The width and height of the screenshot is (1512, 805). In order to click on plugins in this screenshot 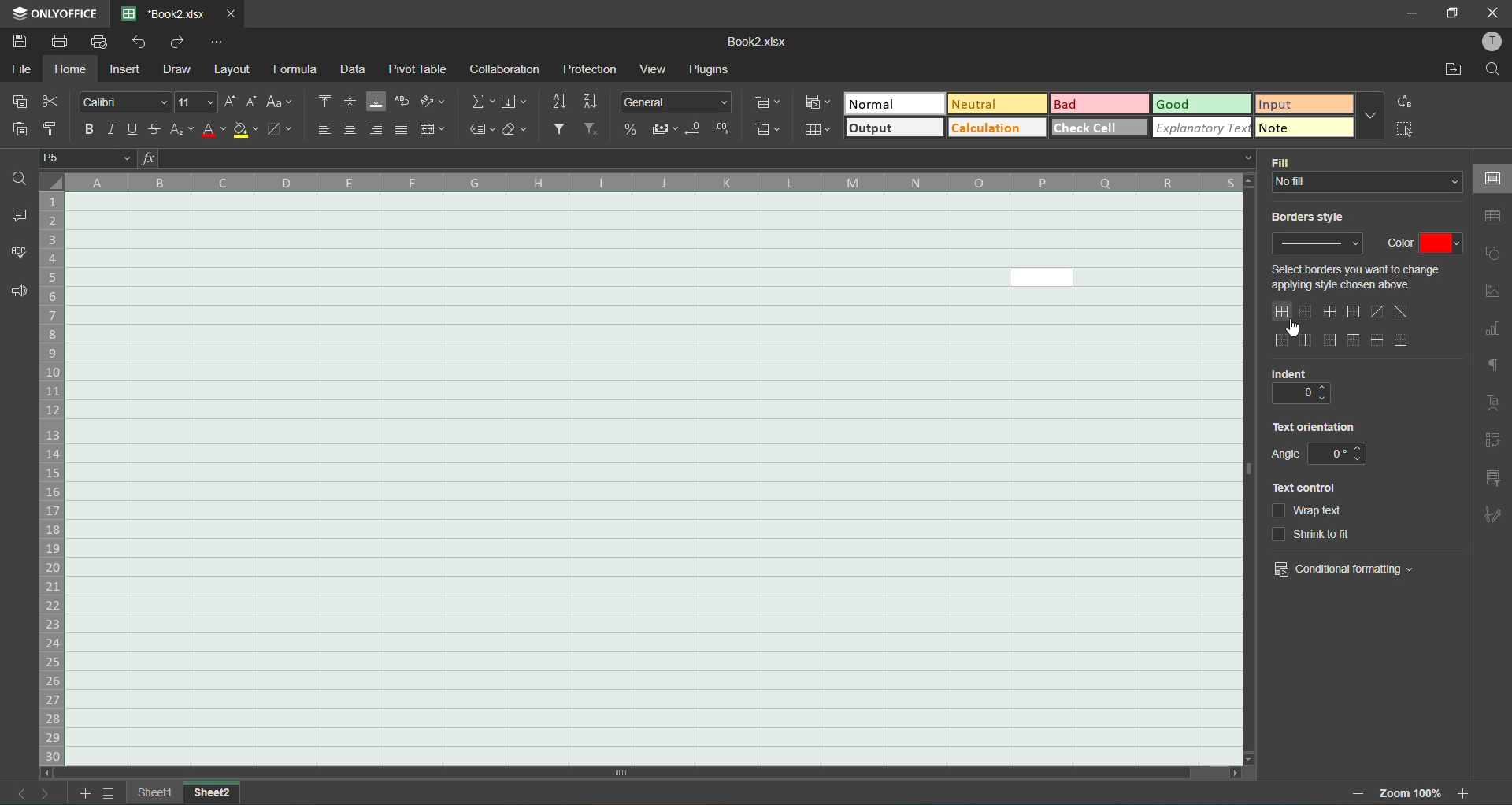, I will do `click(714, 71)`.